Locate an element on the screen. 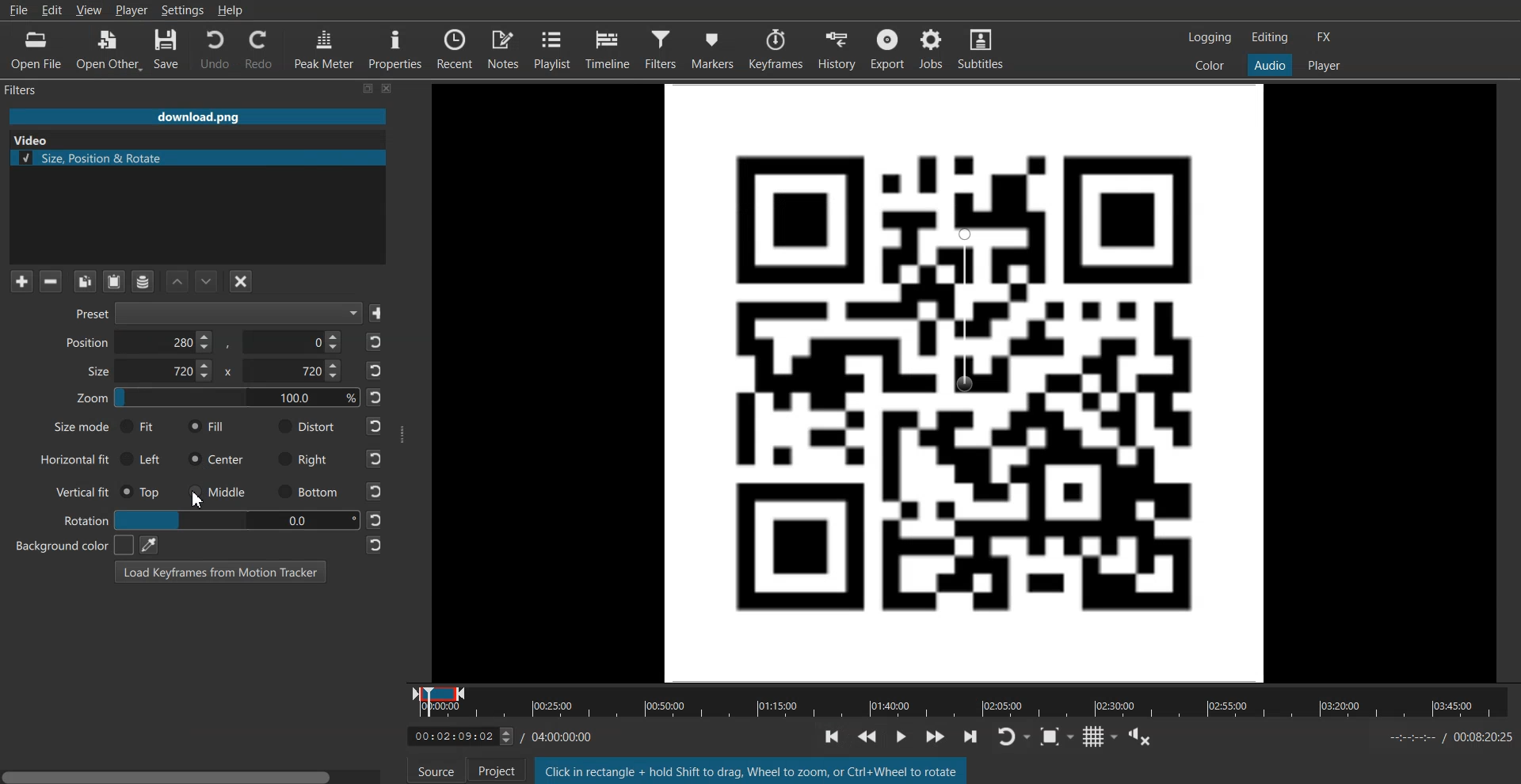 The height and width of the screenshot is (784, 1521). Horizontal Fit is located at coordinates (74, 460).